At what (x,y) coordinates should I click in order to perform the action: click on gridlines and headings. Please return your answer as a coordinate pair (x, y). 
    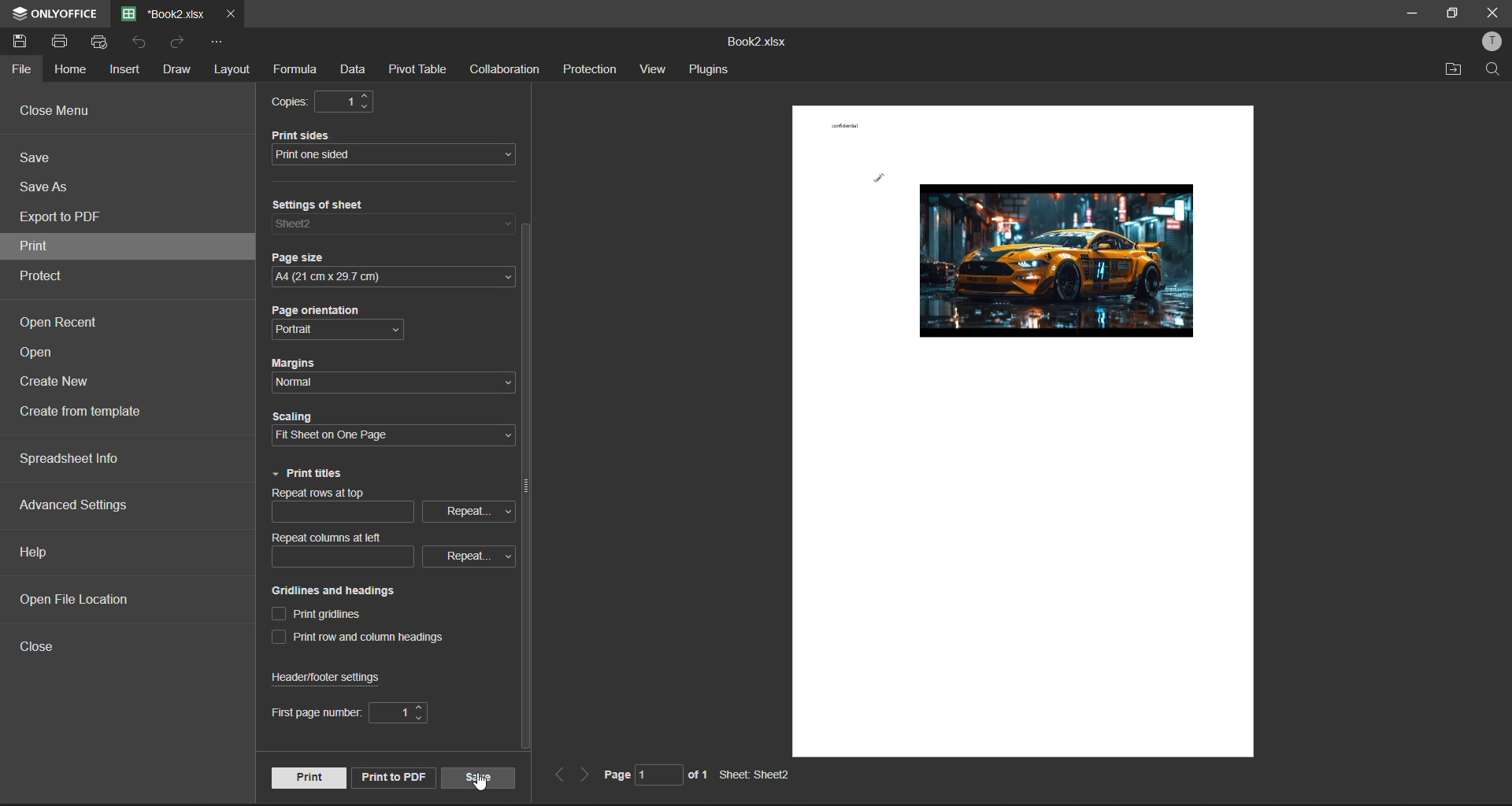
    Looking at the image, I should click on (350, 591).